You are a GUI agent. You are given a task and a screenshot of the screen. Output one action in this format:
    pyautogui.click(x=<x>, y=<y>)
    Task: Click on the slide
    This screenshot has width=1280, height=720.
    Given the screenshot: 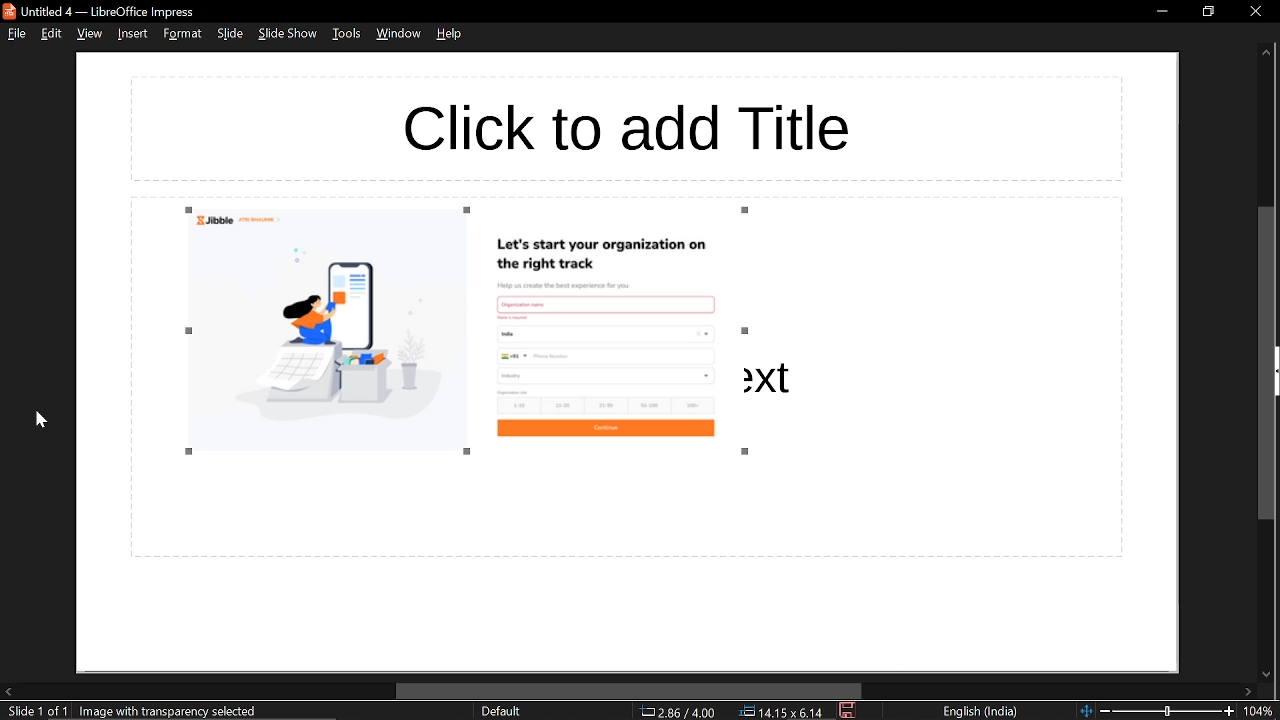 What is the action you would take?
    pyautogui.click(x=230, y=34)
    